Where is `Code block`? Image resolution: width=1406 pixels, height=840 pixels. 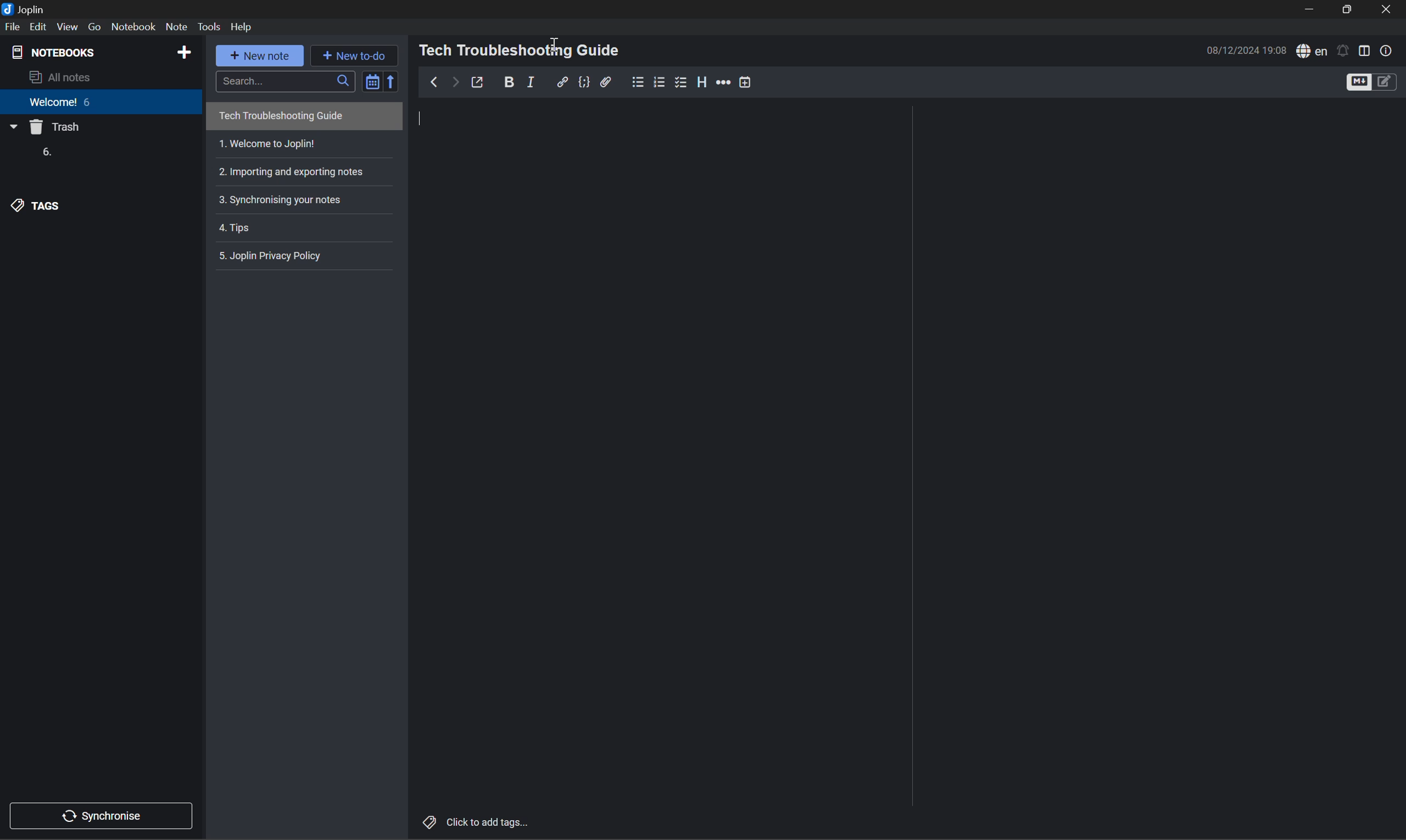 Code block is located at coordinates (584, 82).